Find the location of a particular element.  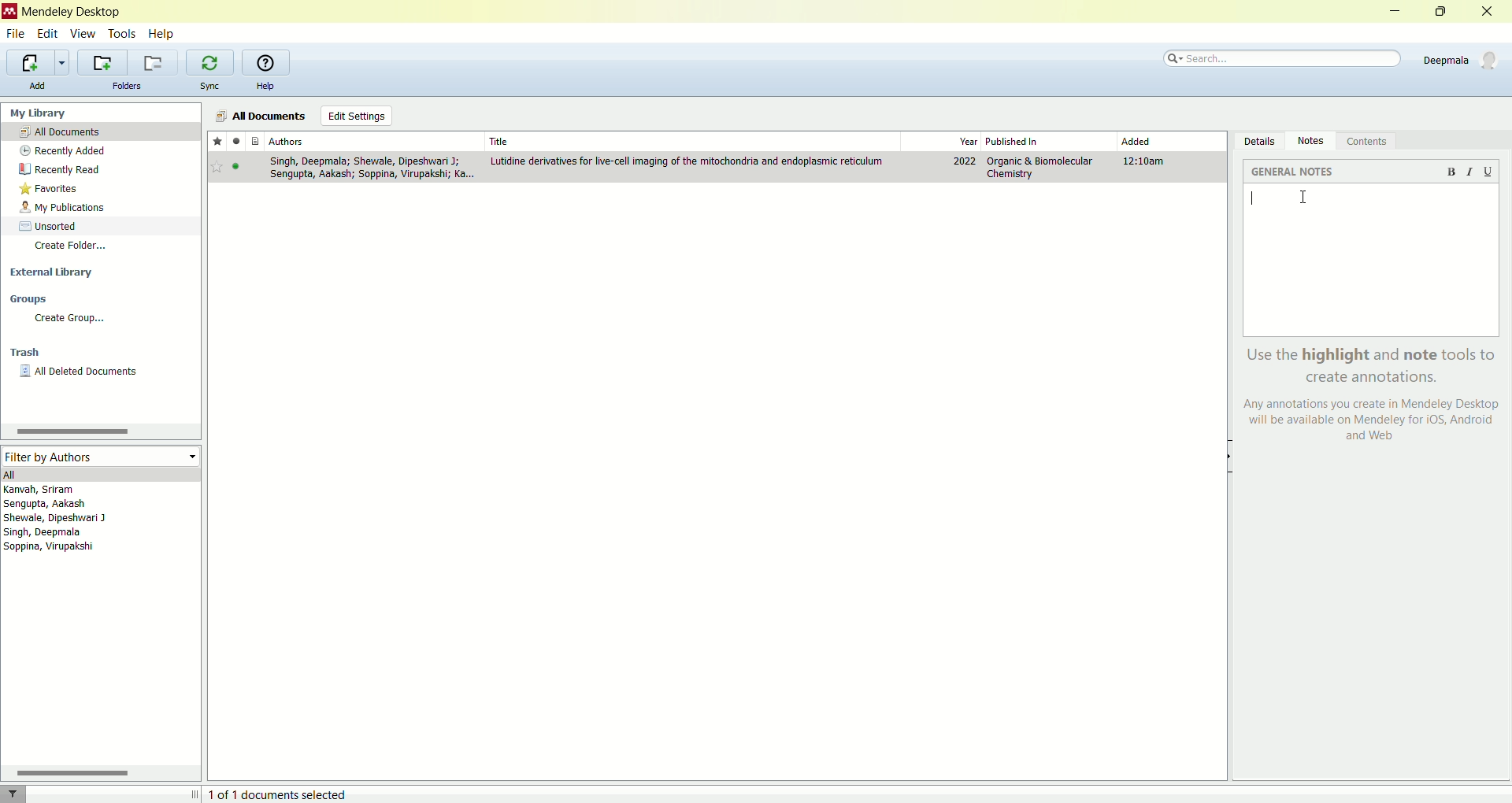

Mendeley desktop is located at coordinates (73, 13).